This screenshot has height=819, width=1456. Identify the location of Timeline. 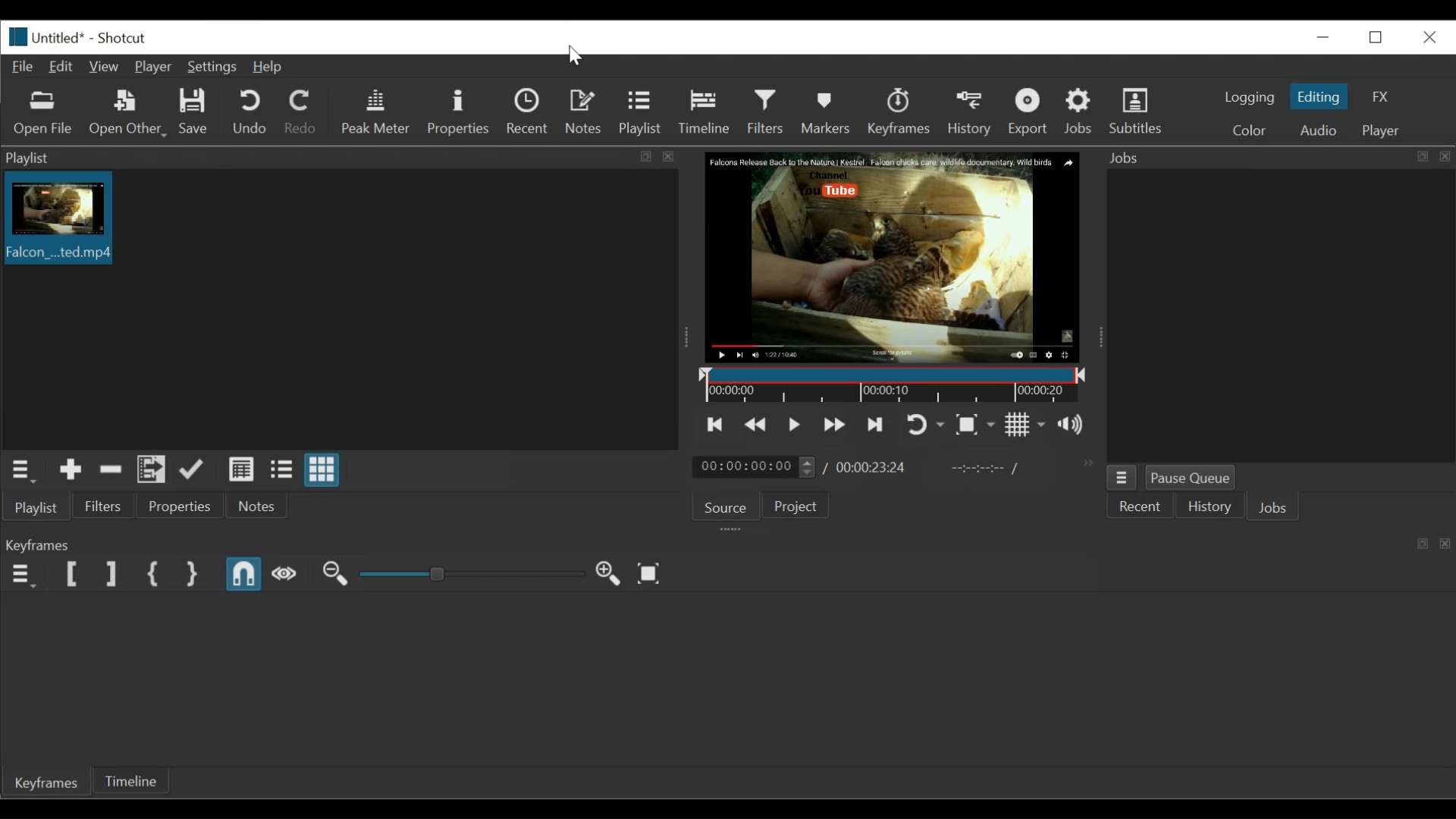
(893, 387).